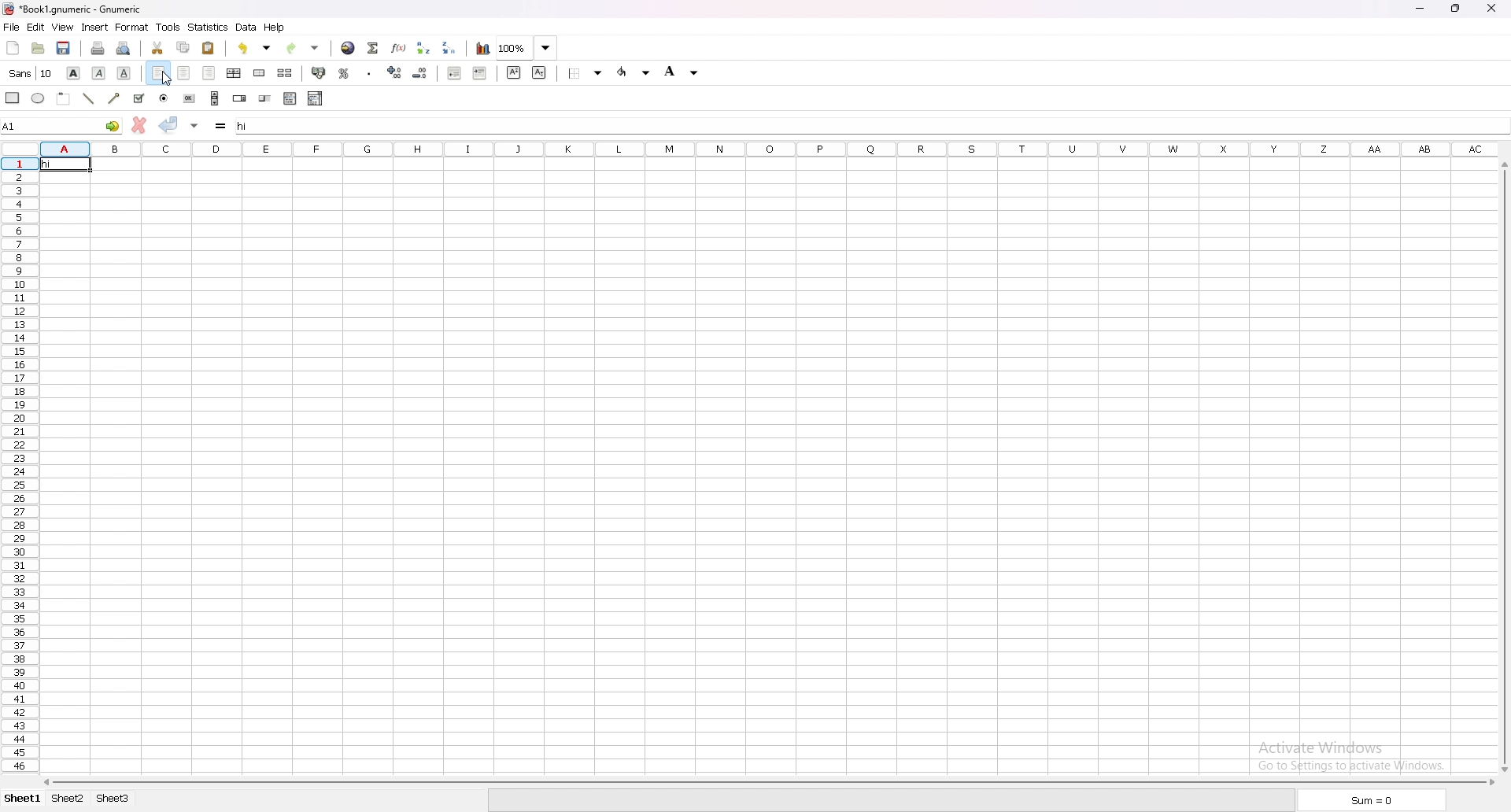  What do you see at coordinates (168, 28) in the screenshot?
I see `tools` at bounding box center [168, 28].